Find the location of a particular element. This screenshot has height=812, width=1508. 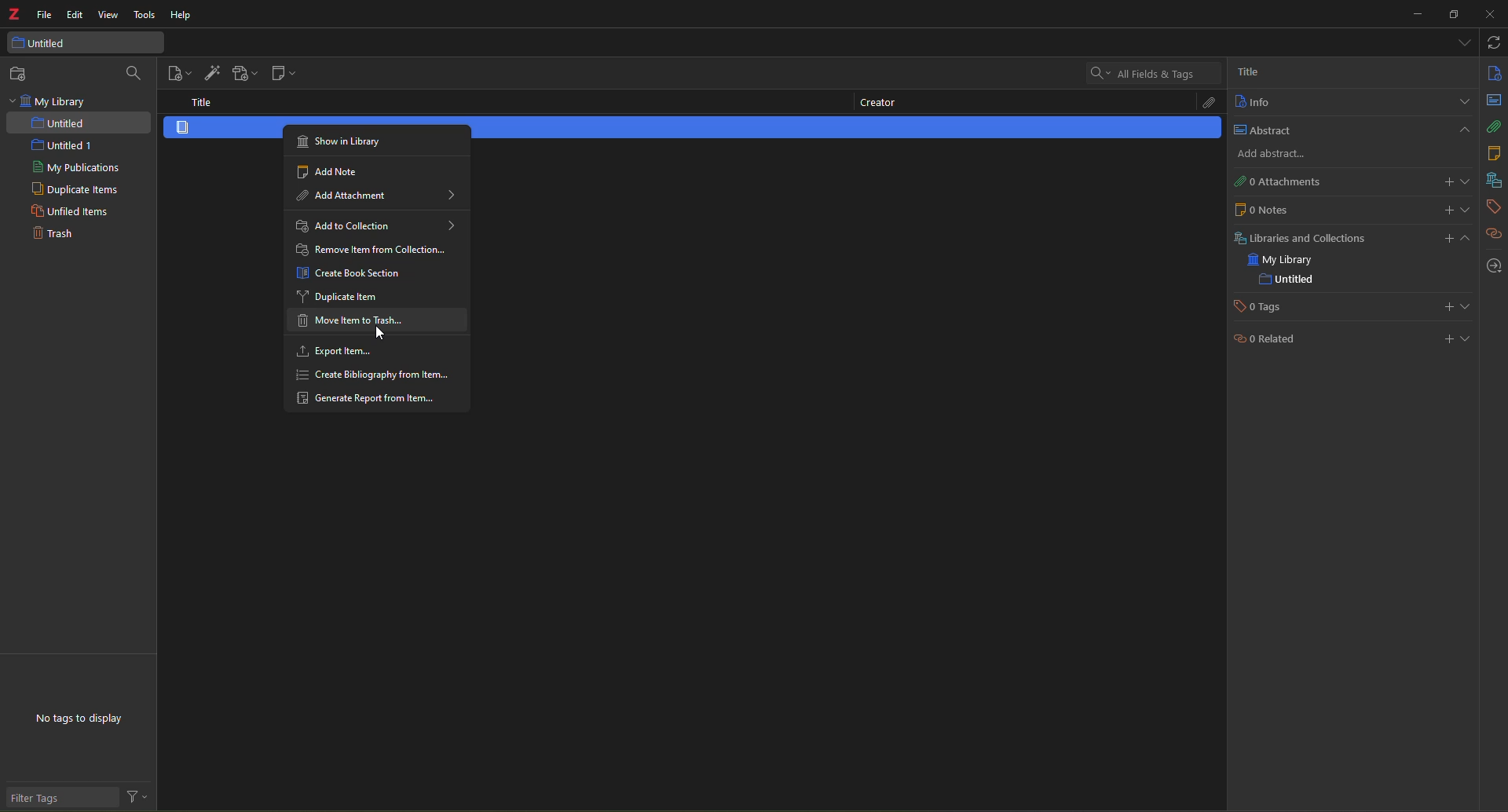

related is located at coordinates (1265, 342).